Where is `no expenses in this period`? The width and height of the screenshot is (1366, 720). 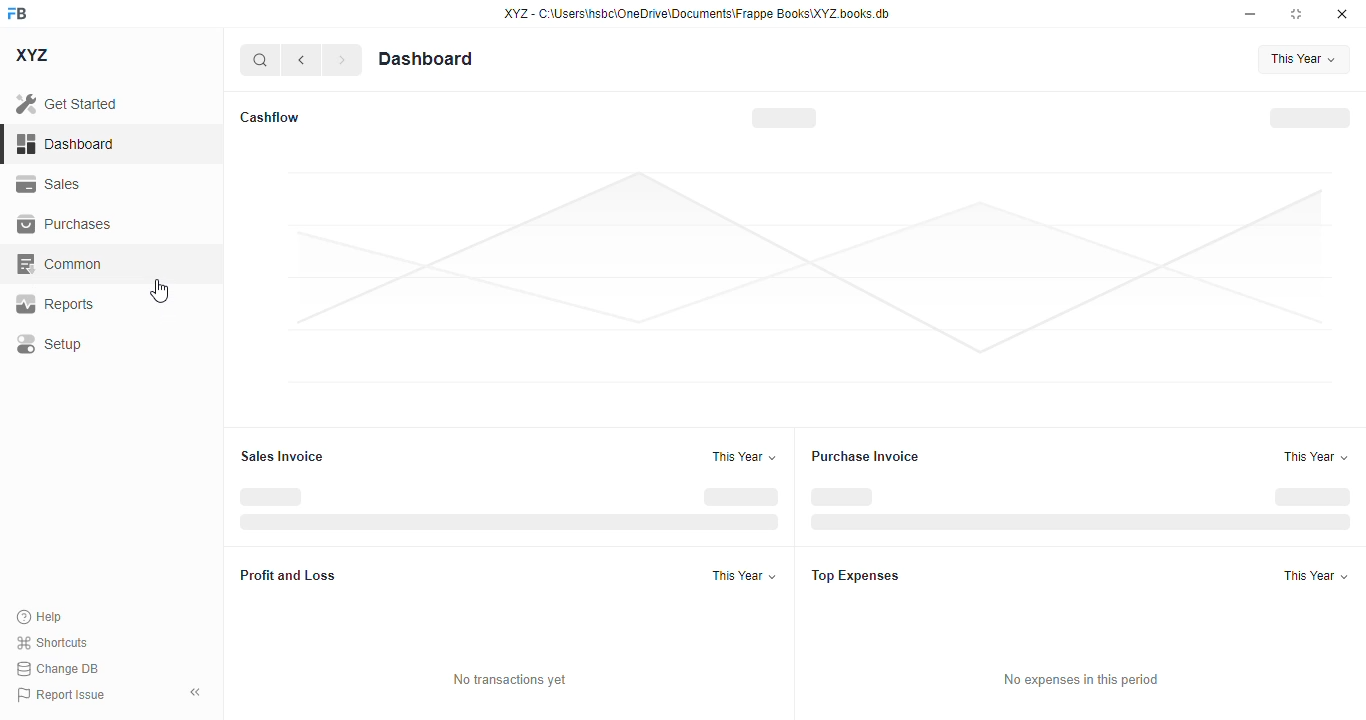 no expenses in this period is located at coordinates (1080, 680).